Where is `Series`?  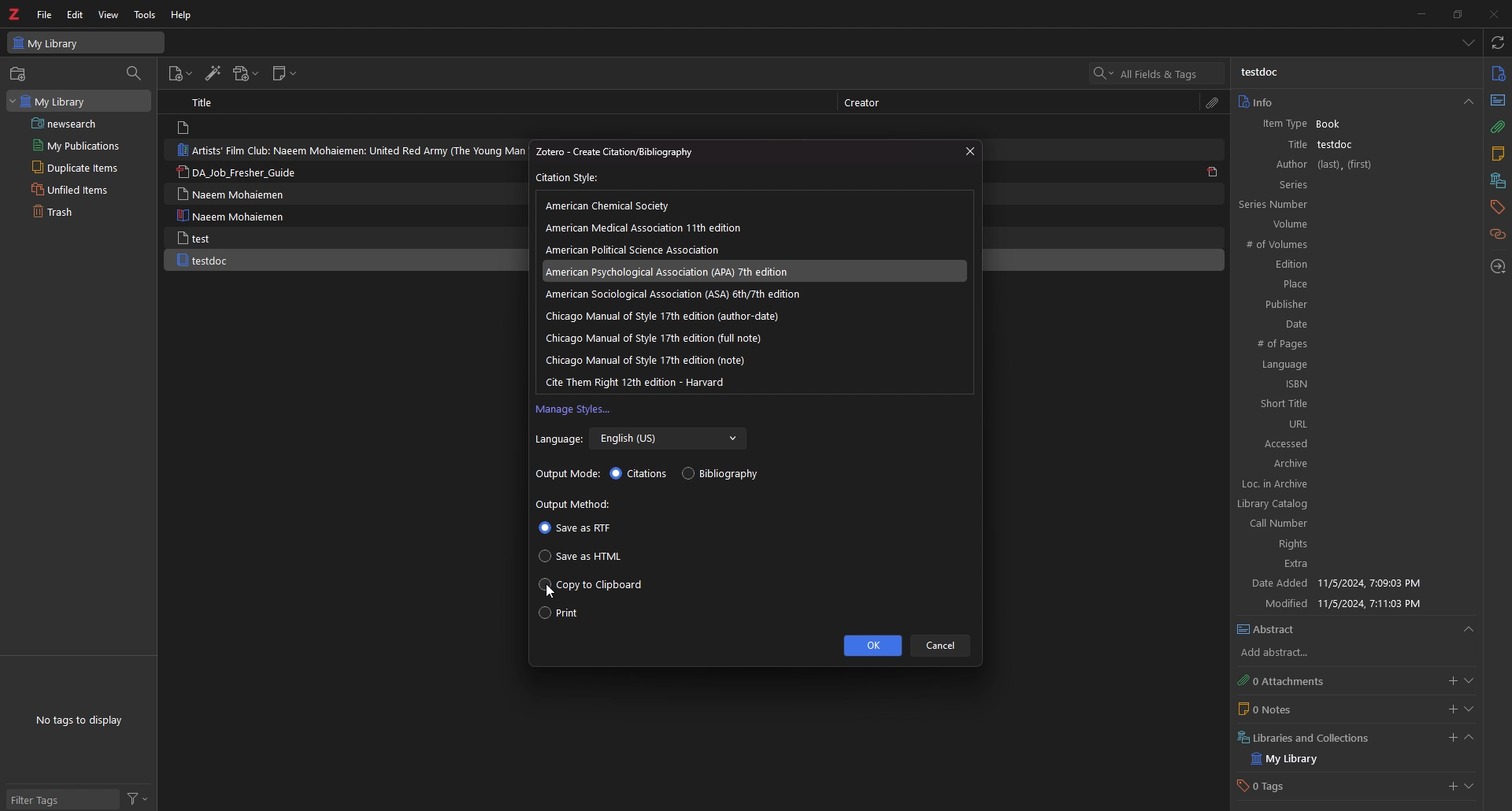
Series is located at coordinates (1353, 184).